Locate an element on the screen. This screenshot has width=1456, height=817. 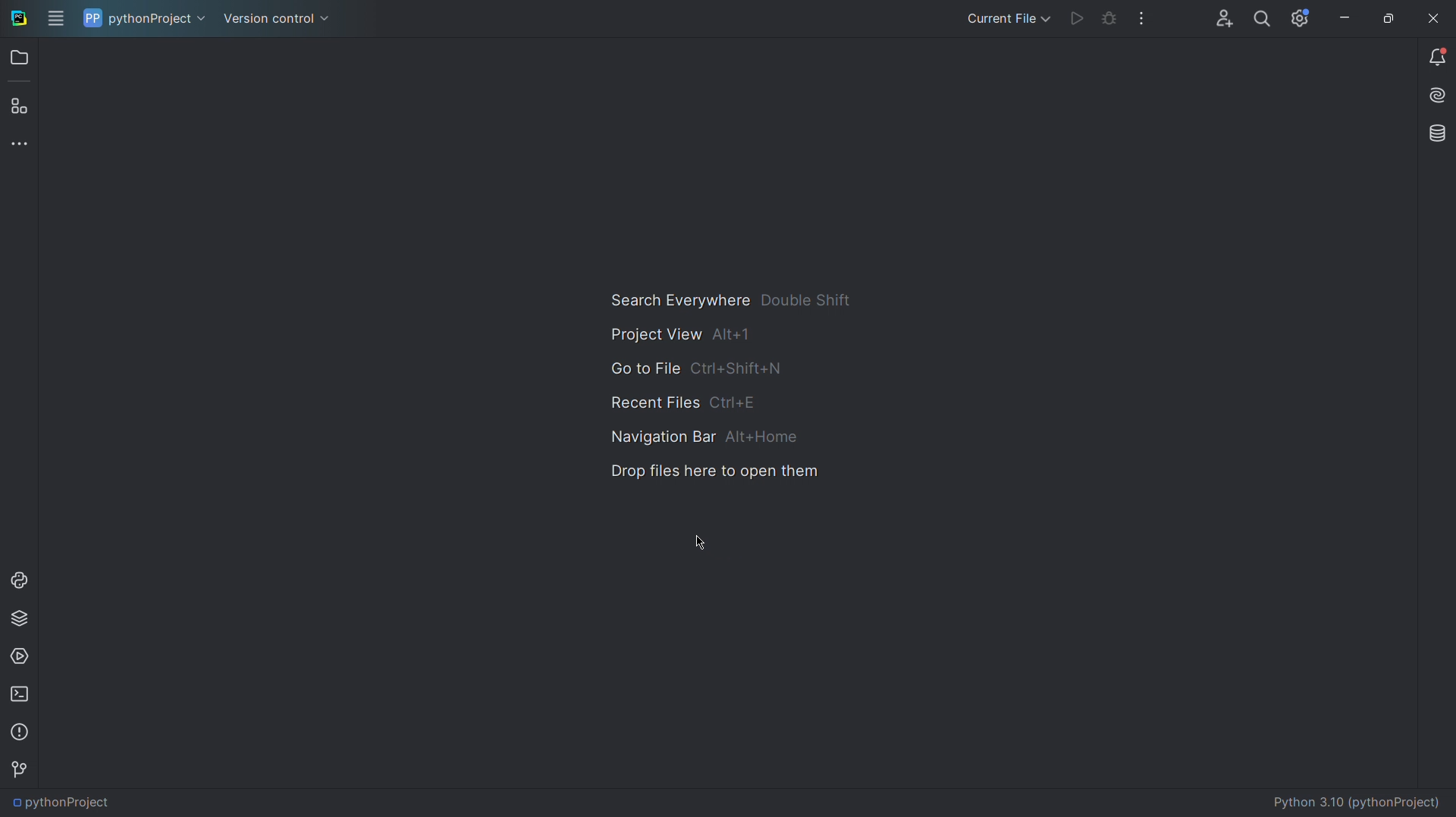
Notifications is located at coordinates (1436, 60).